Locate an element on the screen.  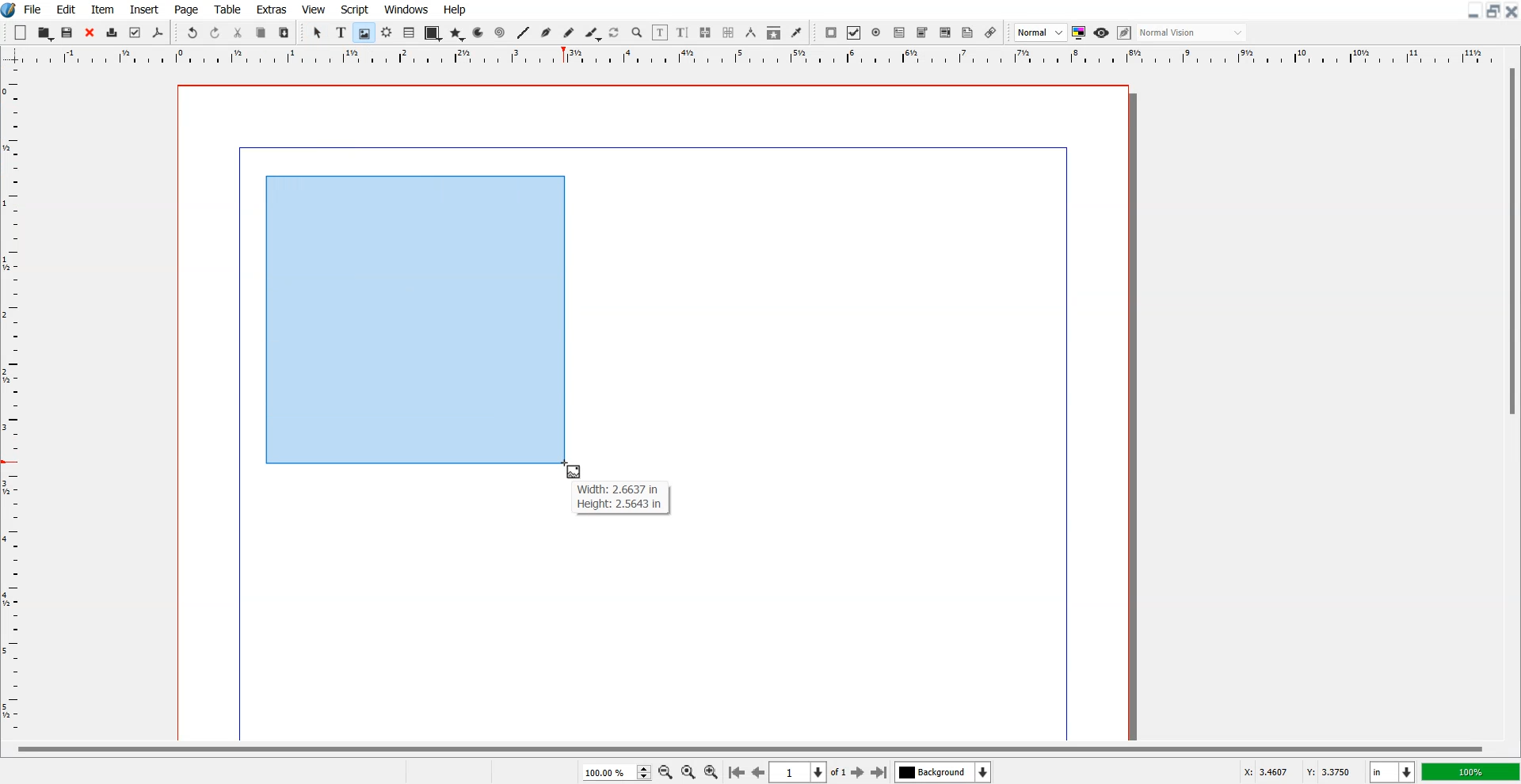
Insert is located at coordinates (143, 9).